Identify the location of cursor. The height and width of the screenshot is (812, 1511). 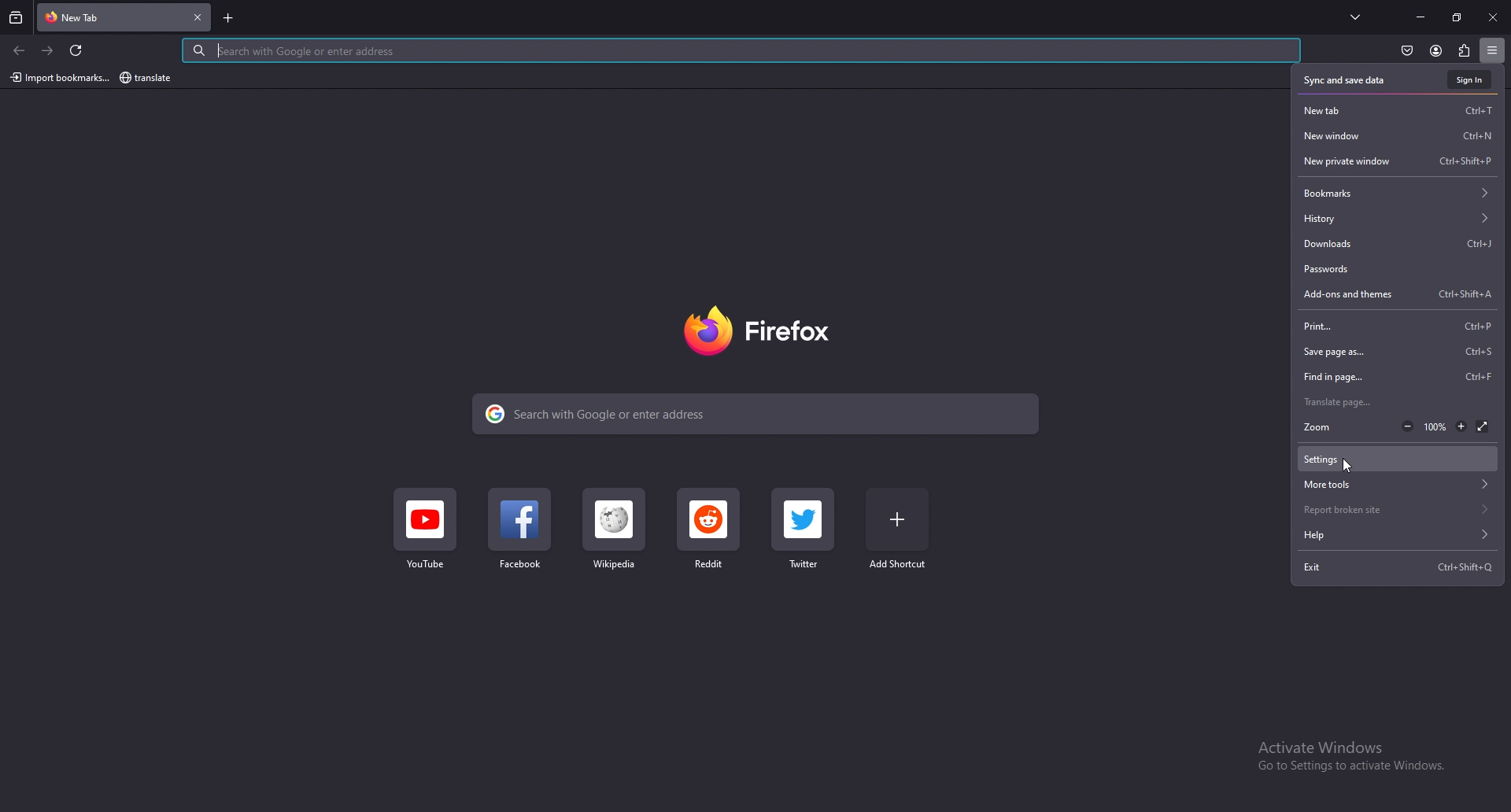
(1349, 467).